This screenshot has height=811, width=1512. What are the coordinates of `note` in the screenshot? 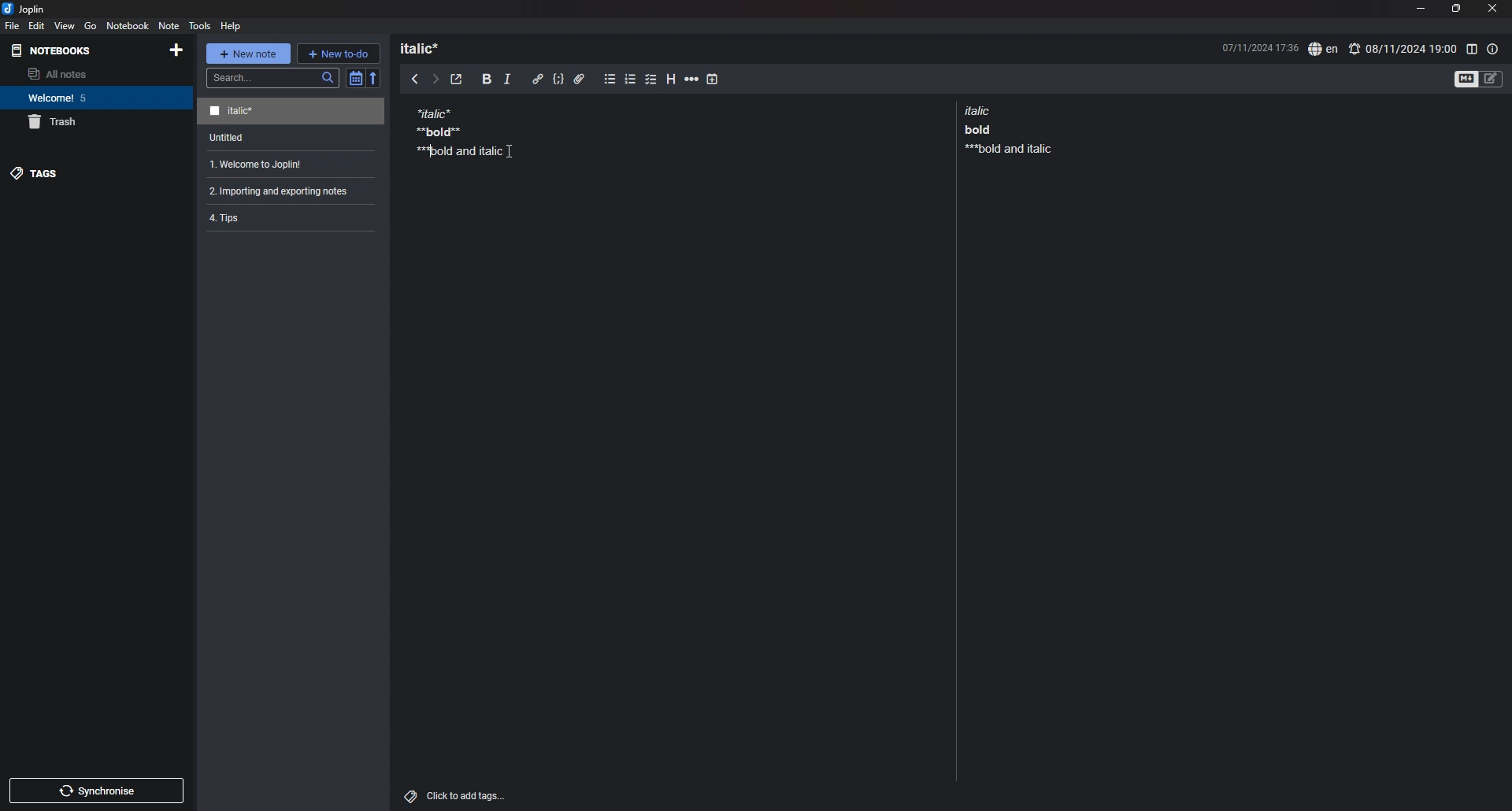 It's located at (454, 131).